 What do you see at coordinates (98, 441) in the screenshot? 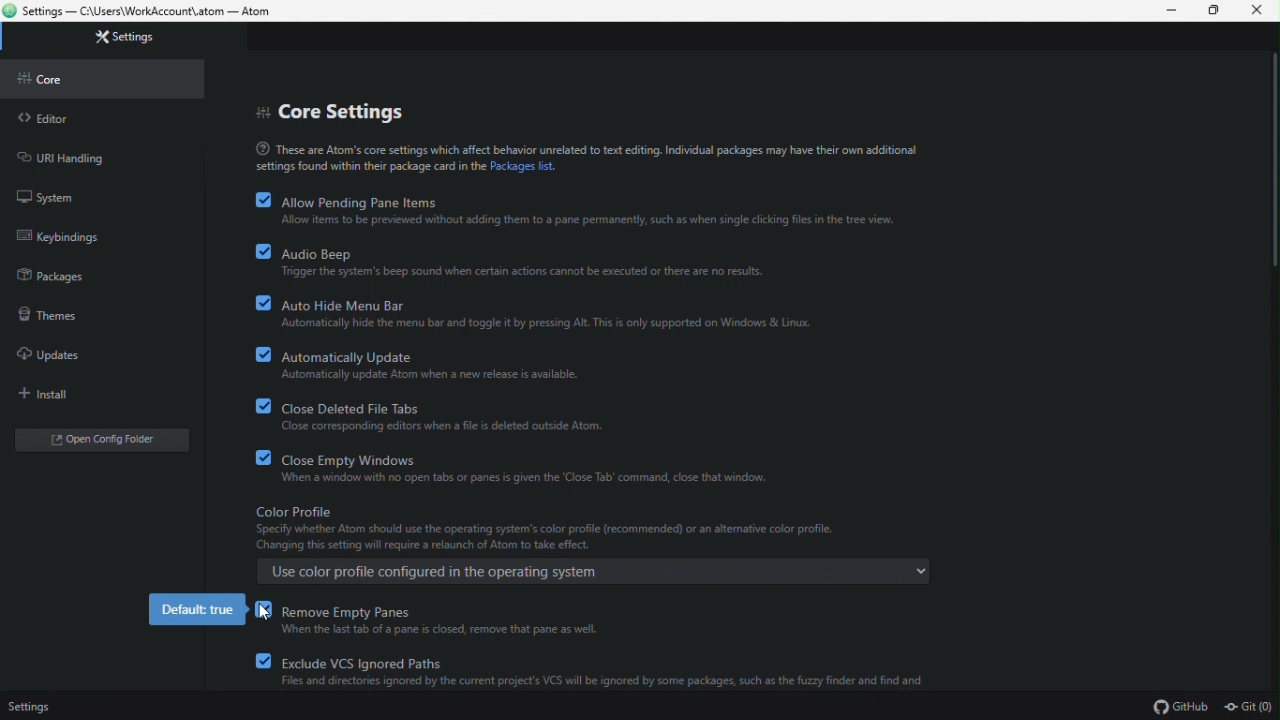
I see `open folder` at bounding box center [98, 441].